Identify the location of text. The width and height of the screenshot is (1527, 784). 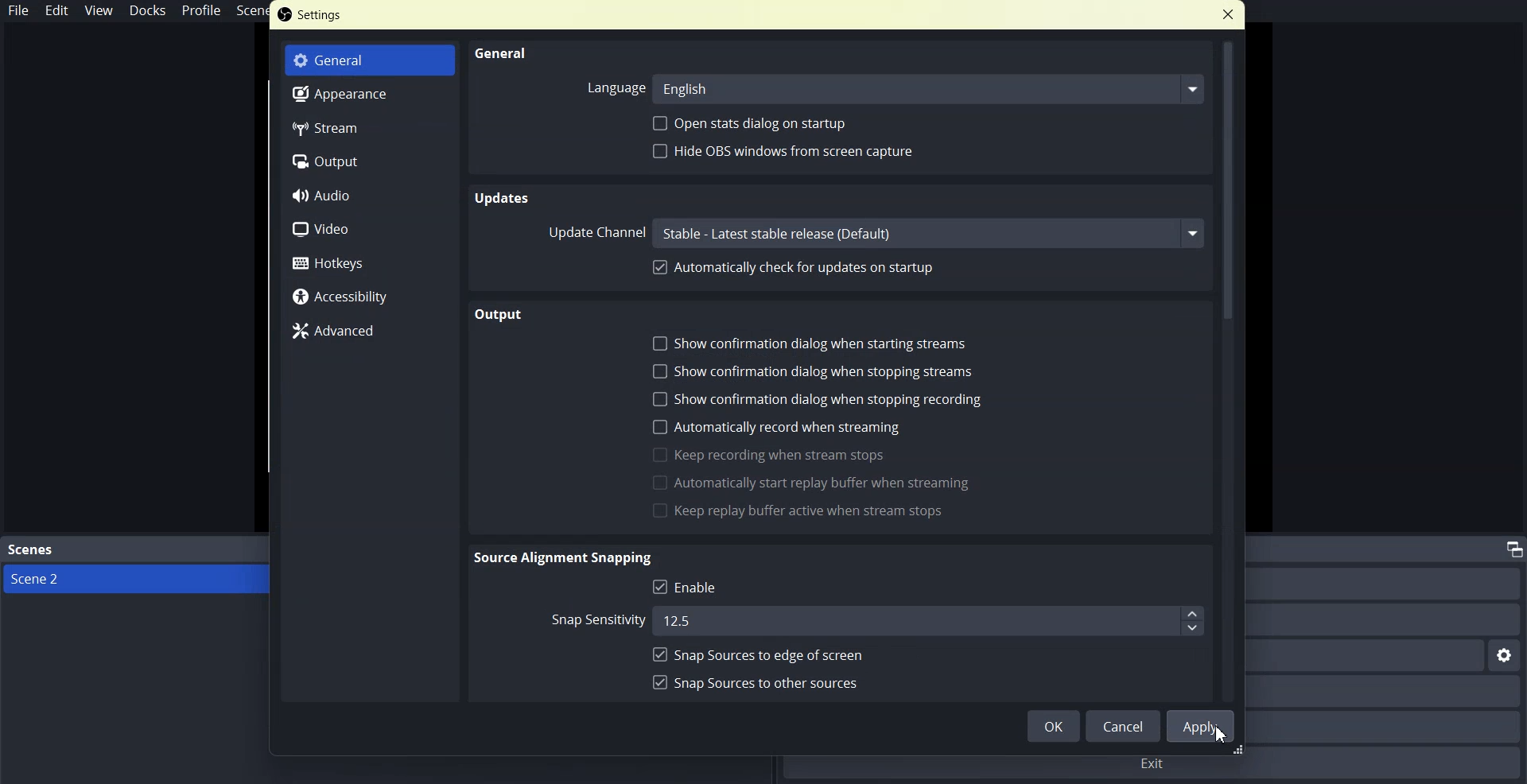
(564, 557).